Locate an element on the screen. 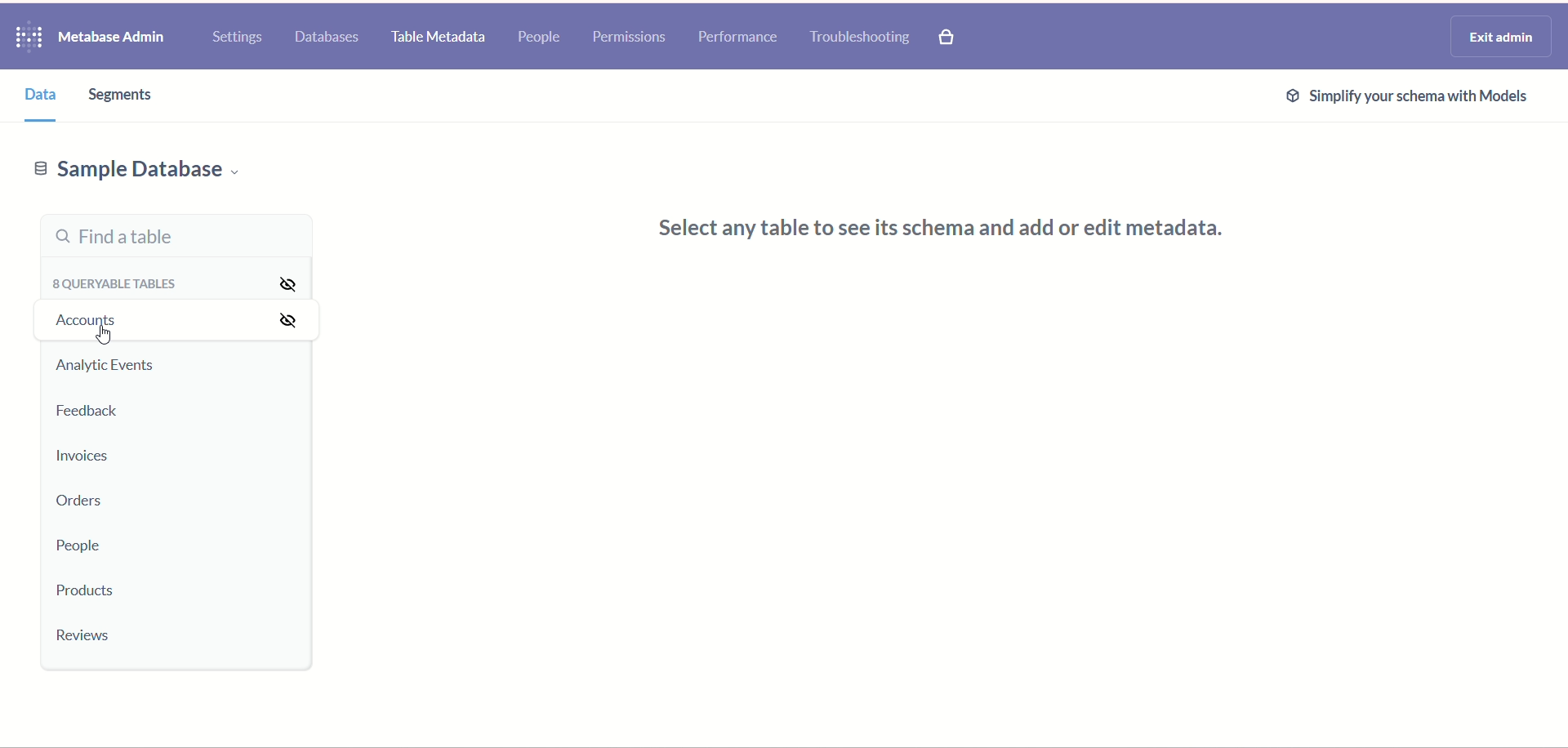 The height and width of the screenshot is (748, 1568). orders is located at coordinates (91, 501).